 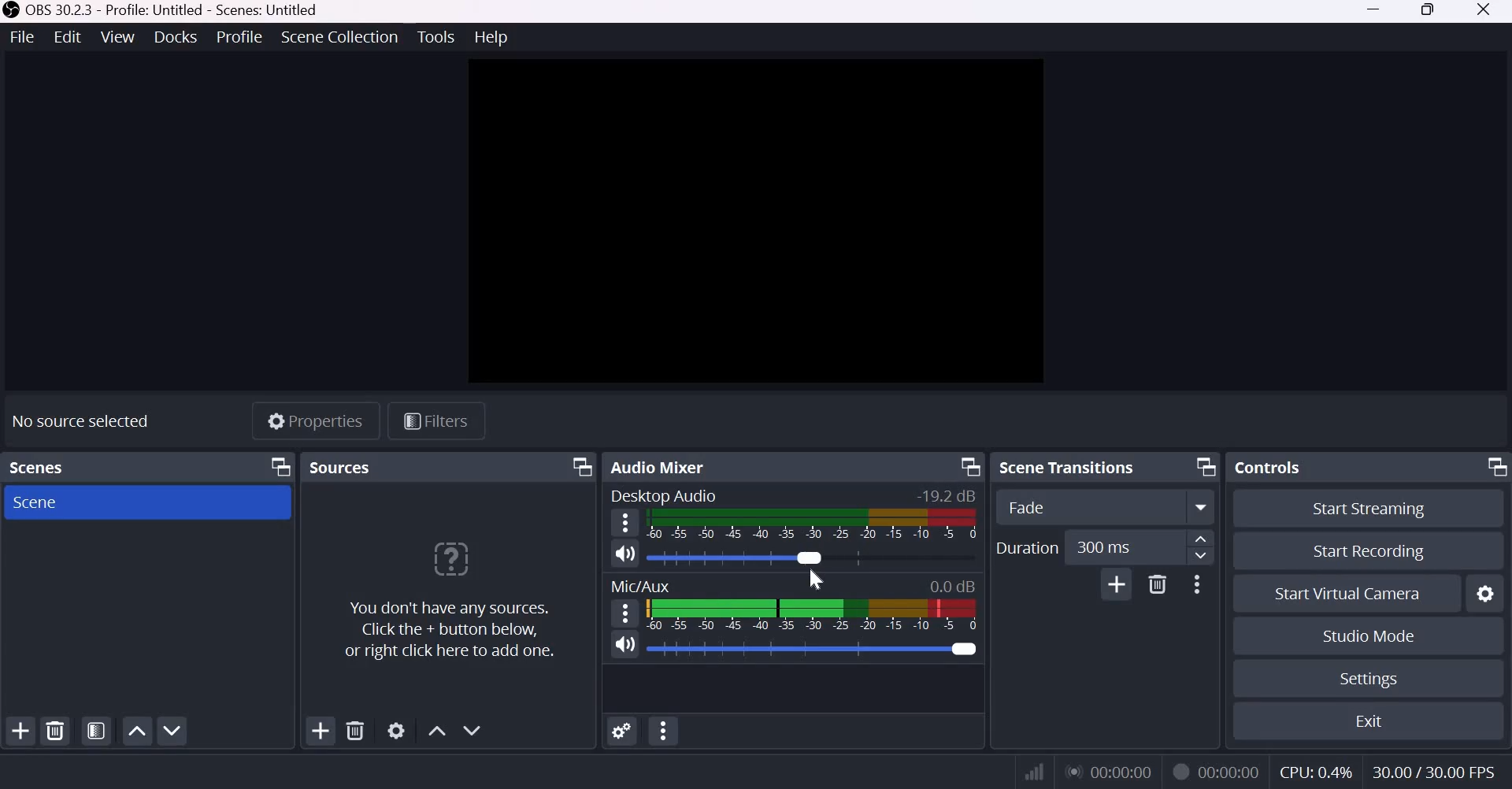 I want to click on Speaker icon, so click(x=625, y=555).